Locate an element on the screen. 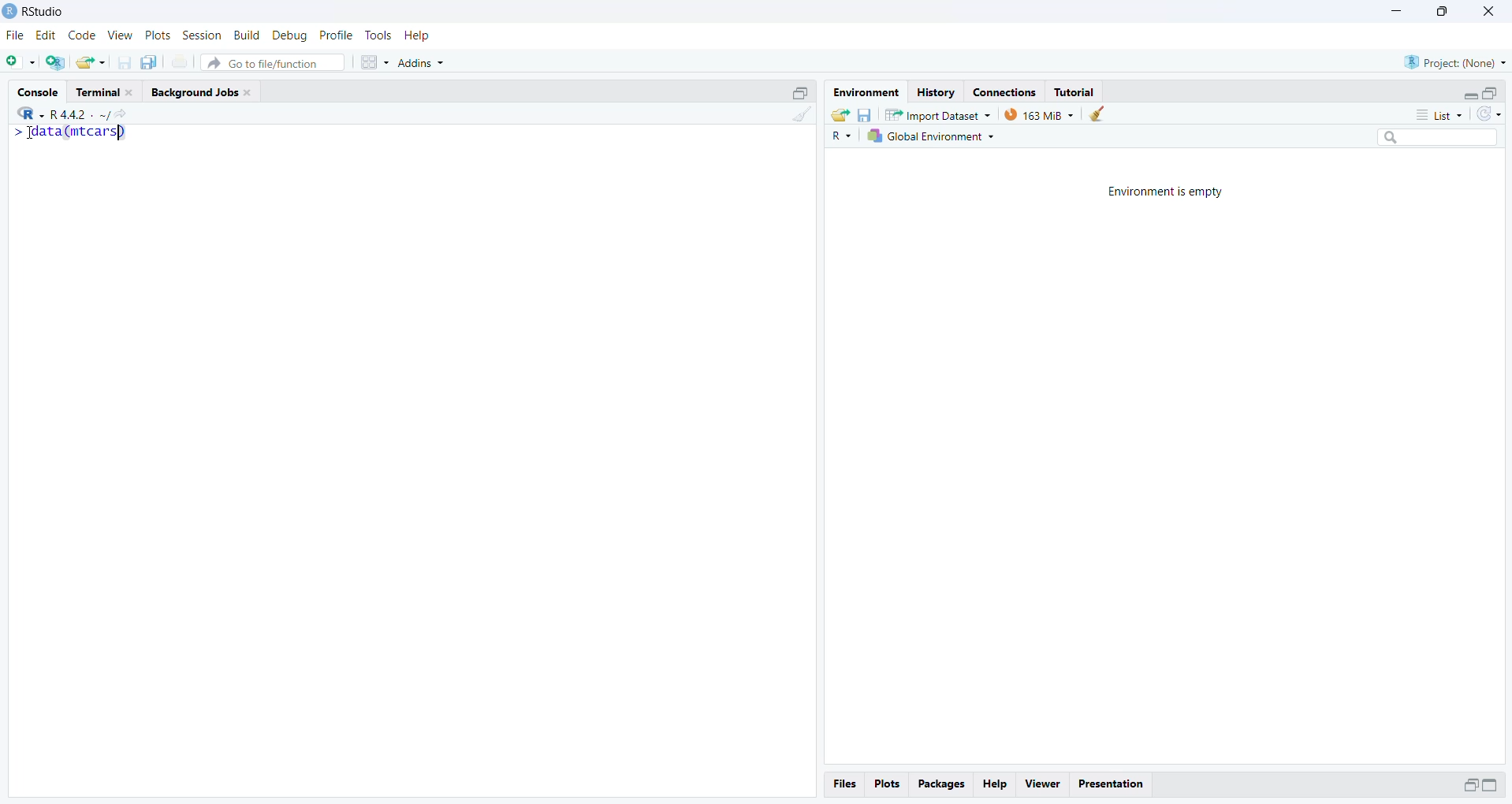 The height and width of the screenshot is (804, 1512). plots is located at coordinates (889, 784).